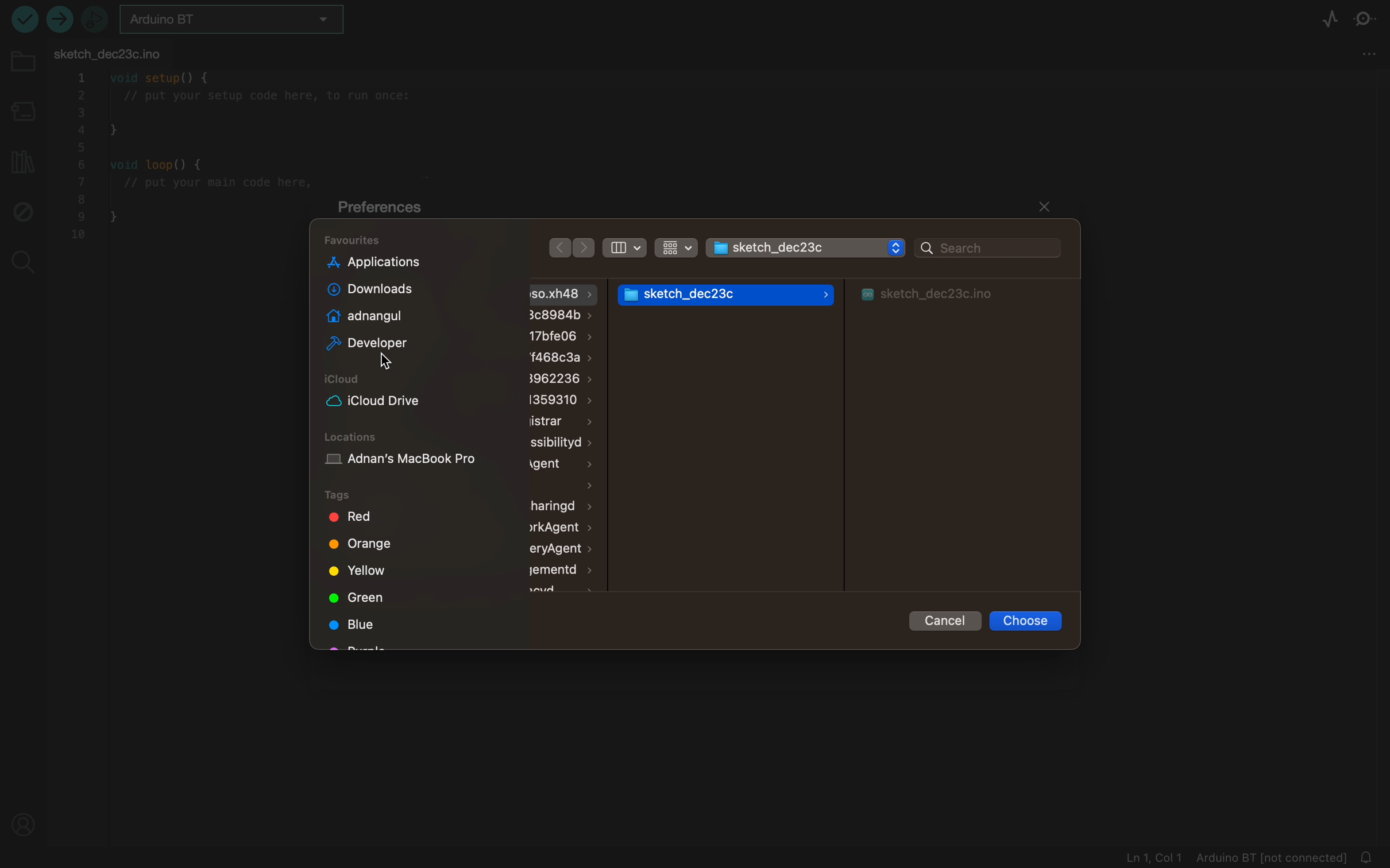 The image size is (1390, 868). Describe the element at coordinates (378, 289) in the screenshot. I see `downloads` at that location.